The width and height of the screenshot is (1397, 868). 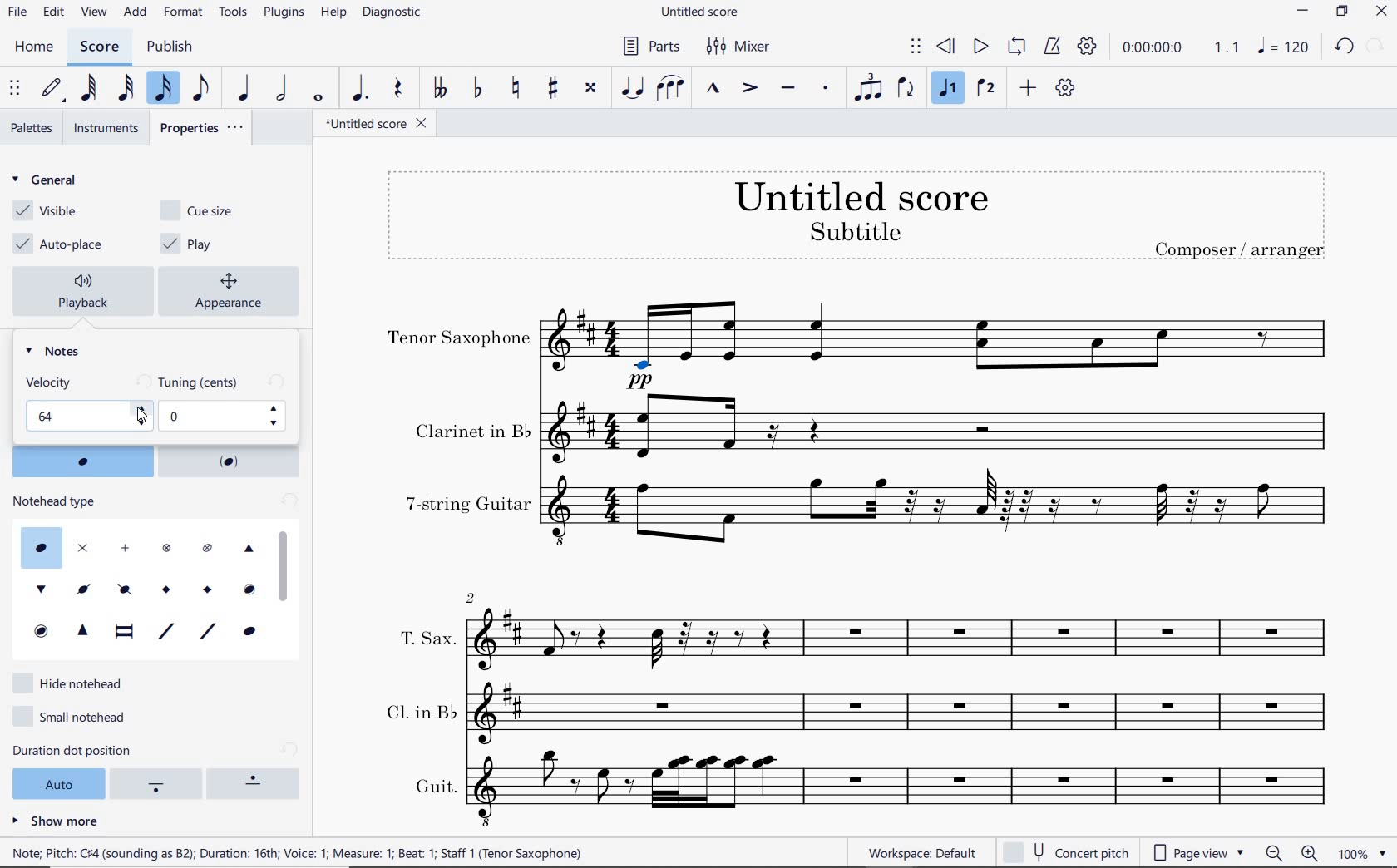 I want to click on WORKSPACE: DEFAULT, so click(x=921, y=853).